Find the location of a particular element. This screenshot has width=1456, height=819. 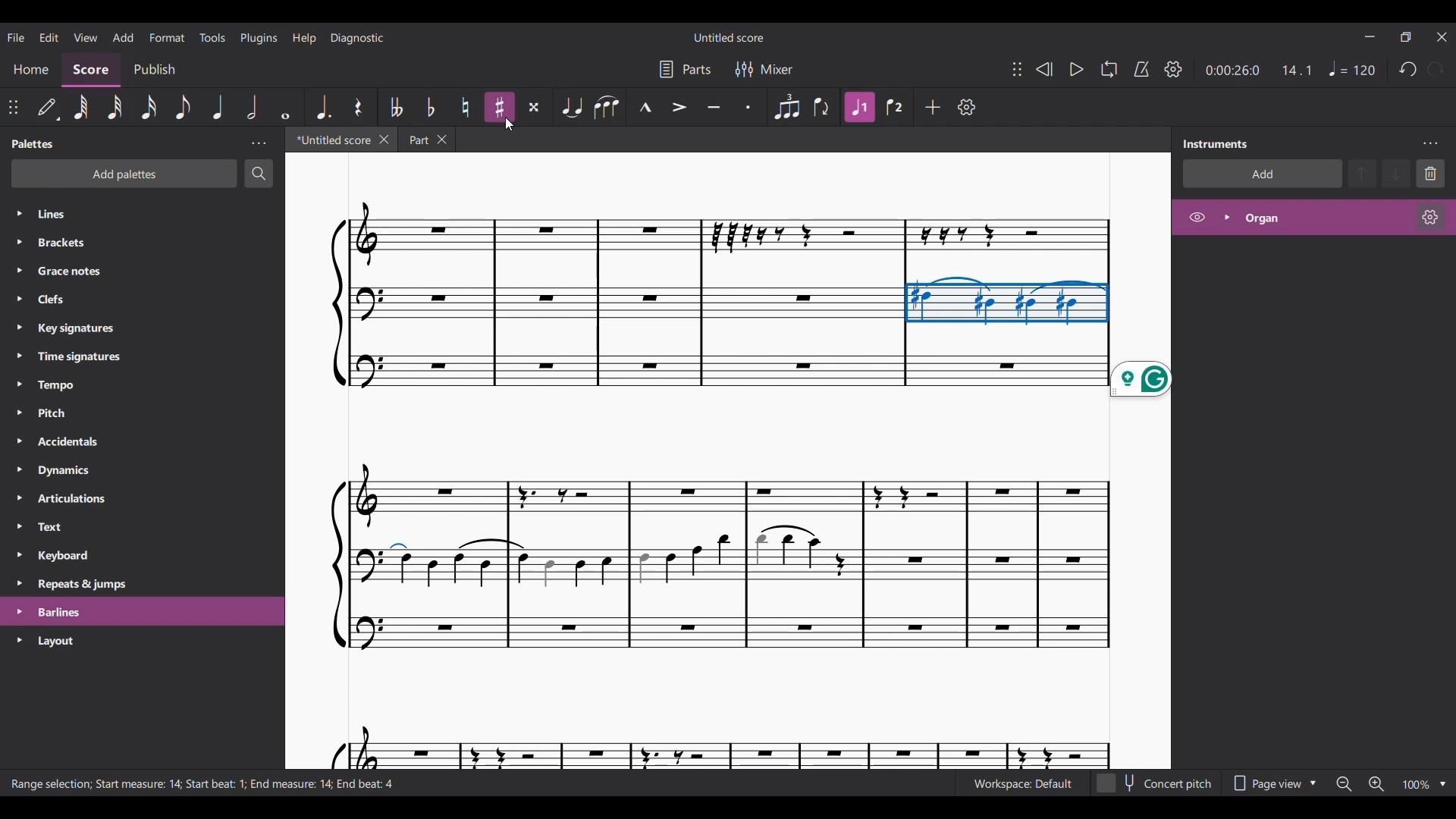

Customize toolbar is located at coordinates (967, 106).